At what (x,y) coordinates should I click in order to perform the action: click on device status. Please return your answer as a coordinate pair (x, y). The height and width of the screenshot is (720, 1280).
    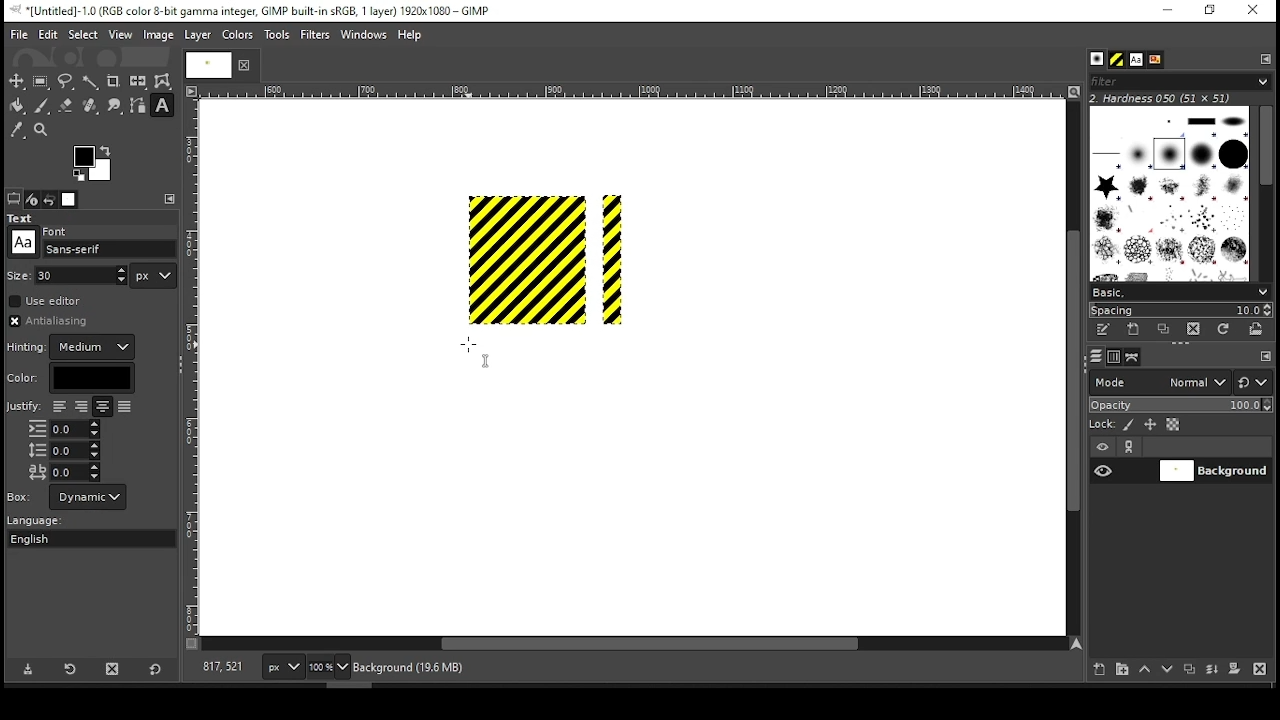
    Looking at the image, I should click on (32, 199).